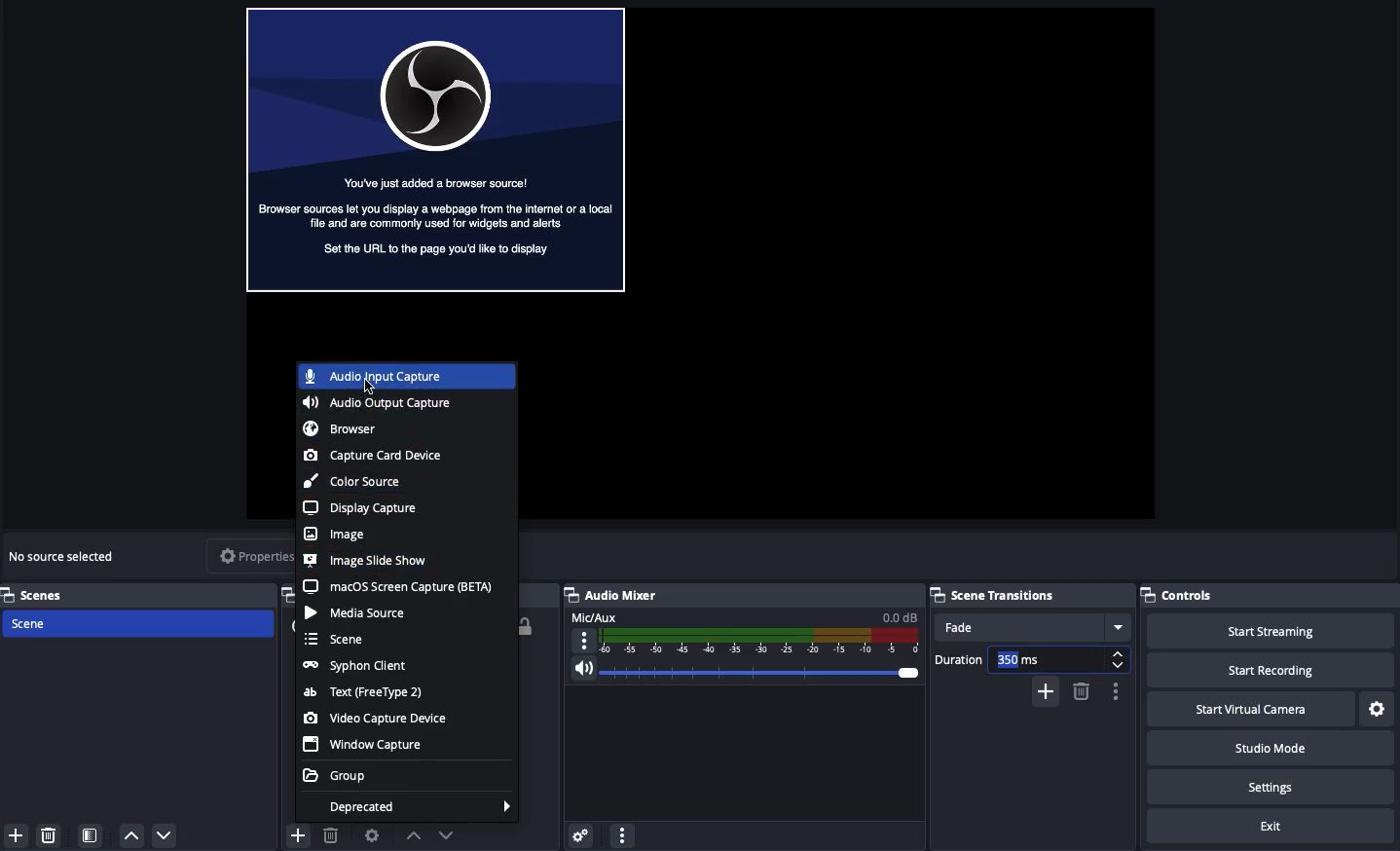  What do you see at coordinates (343, 776) in the screenshot?
I see `Group` at bounding box center [343, 776].